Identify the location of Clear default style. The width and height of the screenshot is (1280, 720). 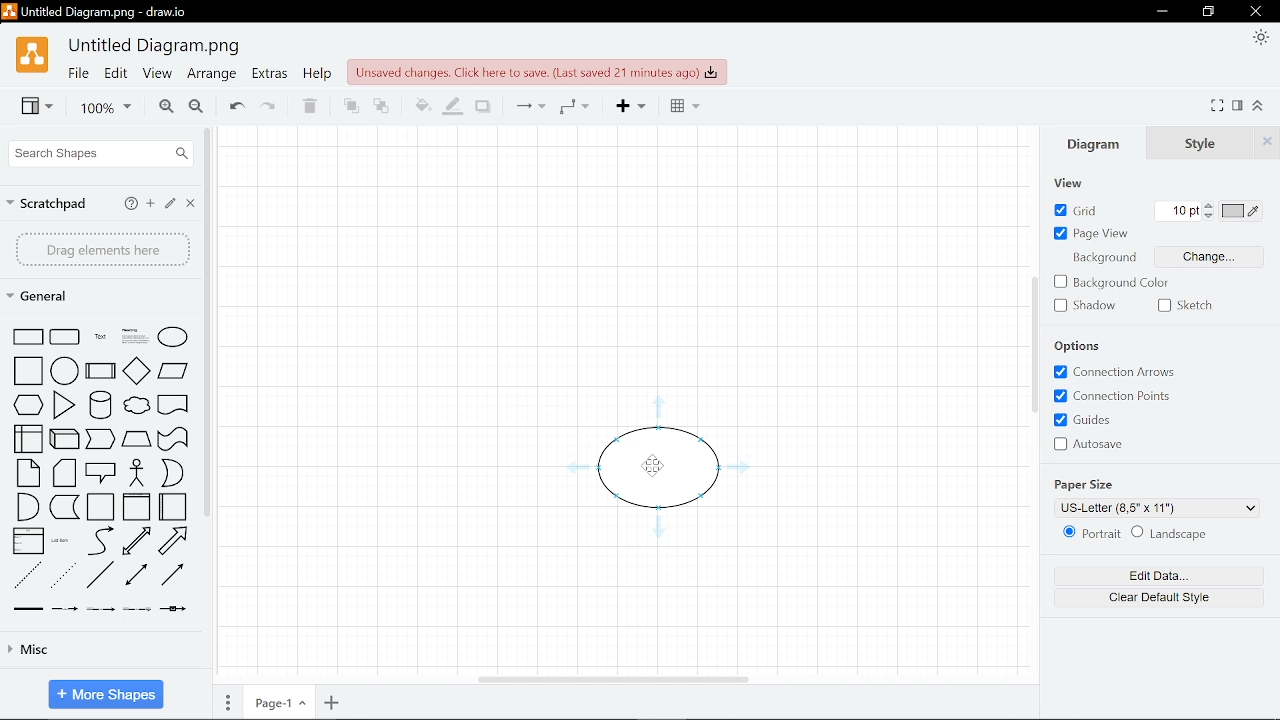
(1157, 598).